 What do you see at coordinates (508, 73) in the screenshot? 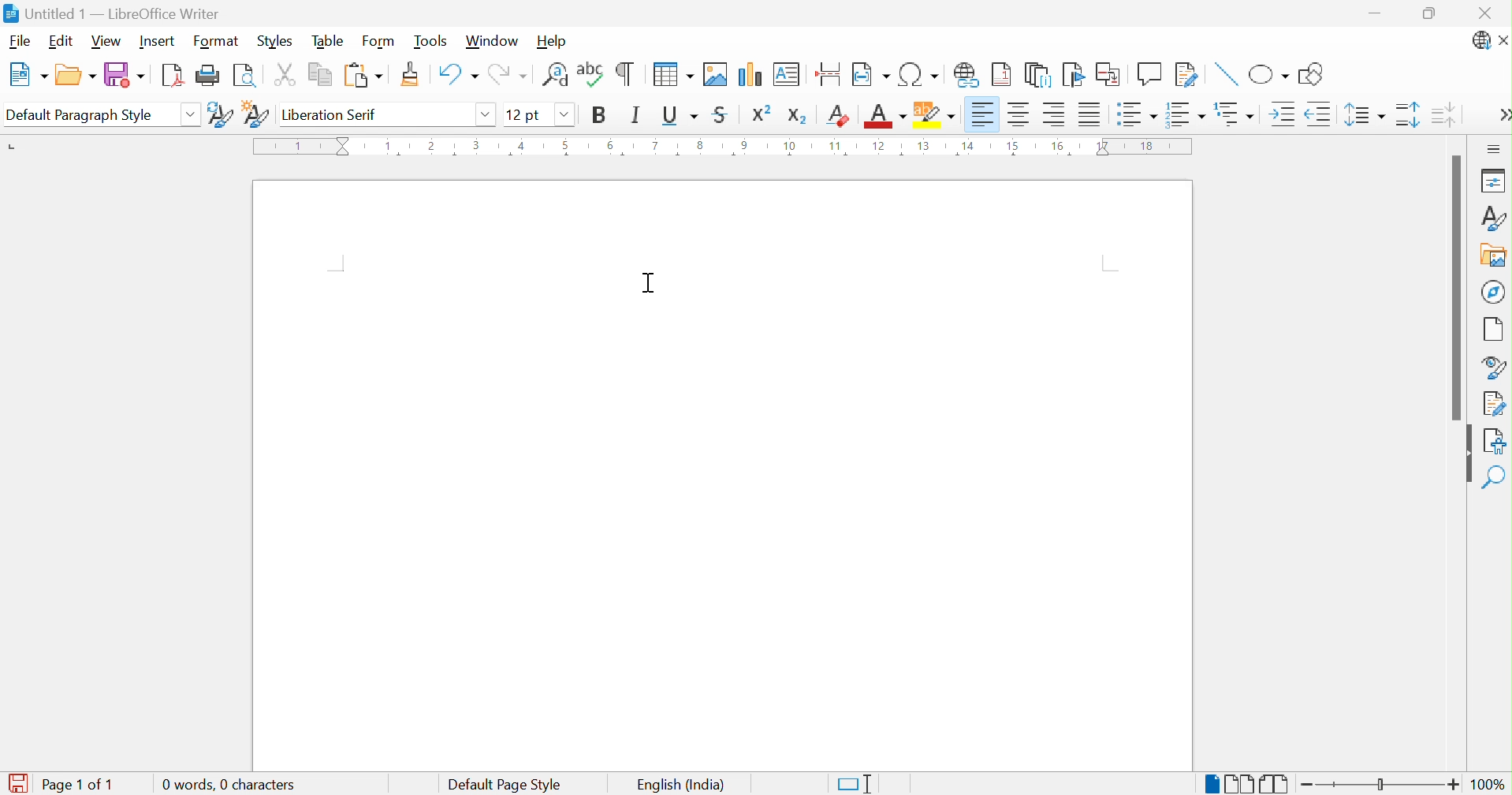
I see `Redo` at bounding box center [508, 73].